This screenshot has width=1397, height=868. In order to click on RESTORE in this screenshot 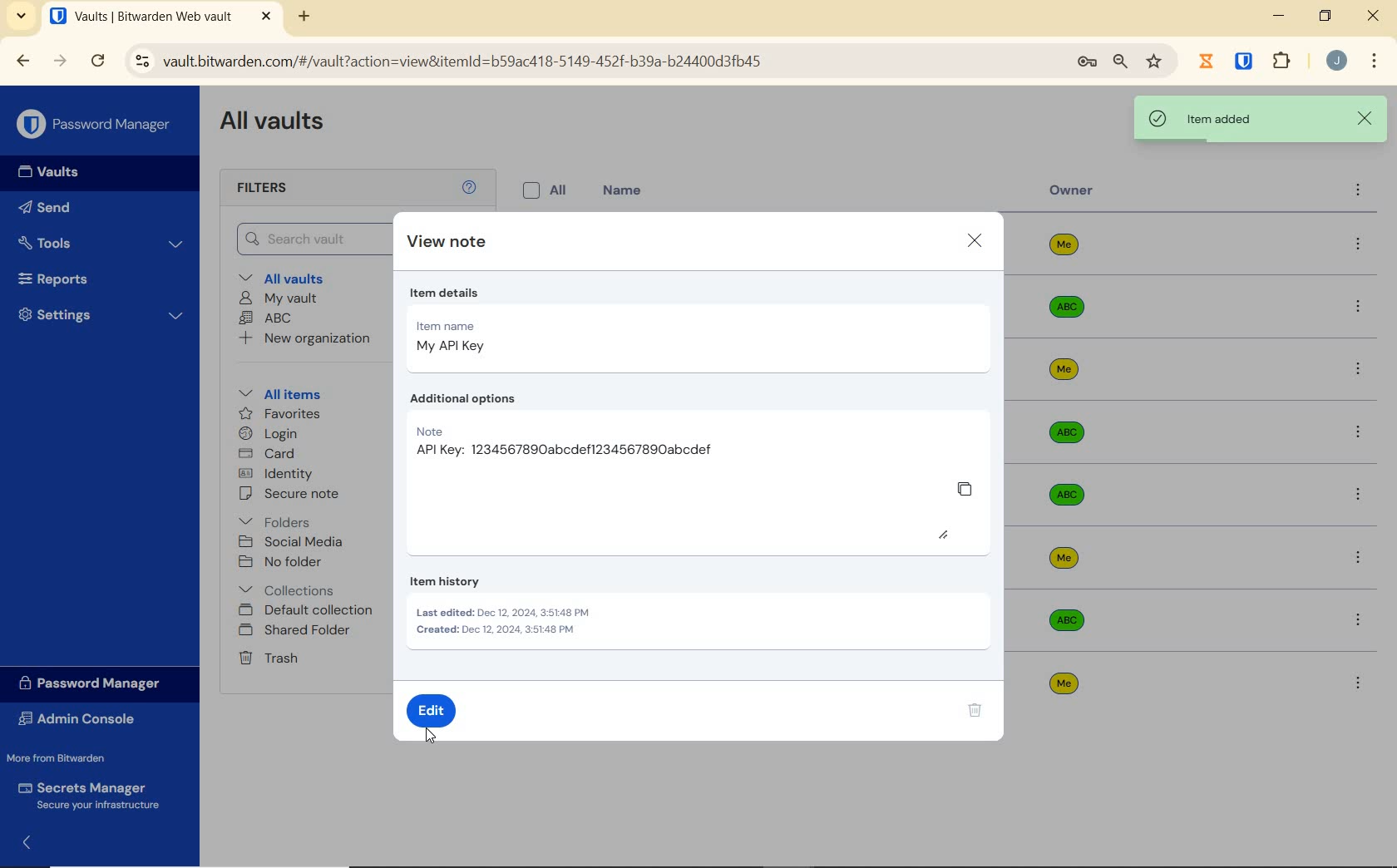, I will do `click(1325, 18)`.